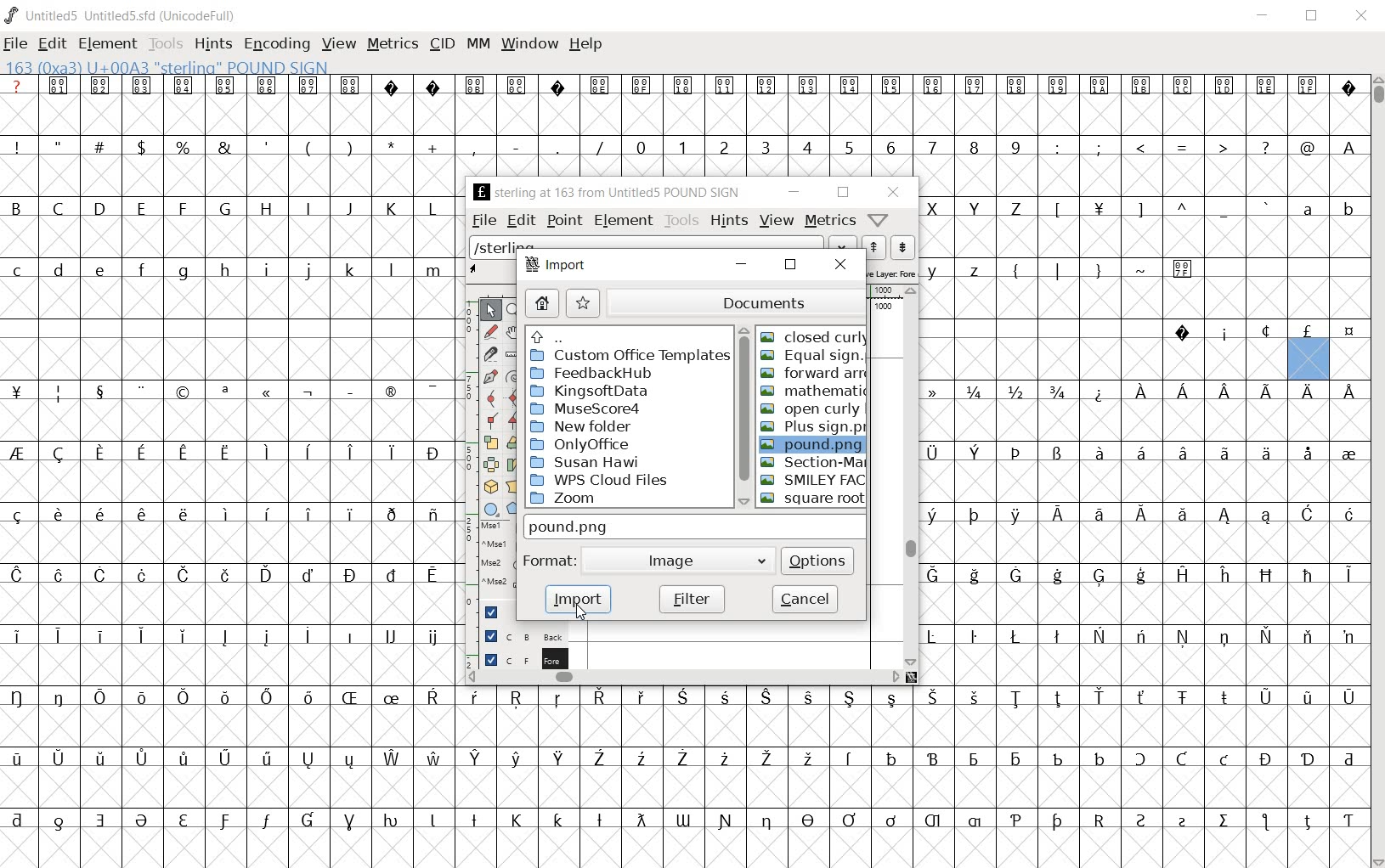 The image size is (1385, 868). What do you see at coordinates (21, 454) in the screenshot?
I see `Symbol` at bounding box center [21, 454].